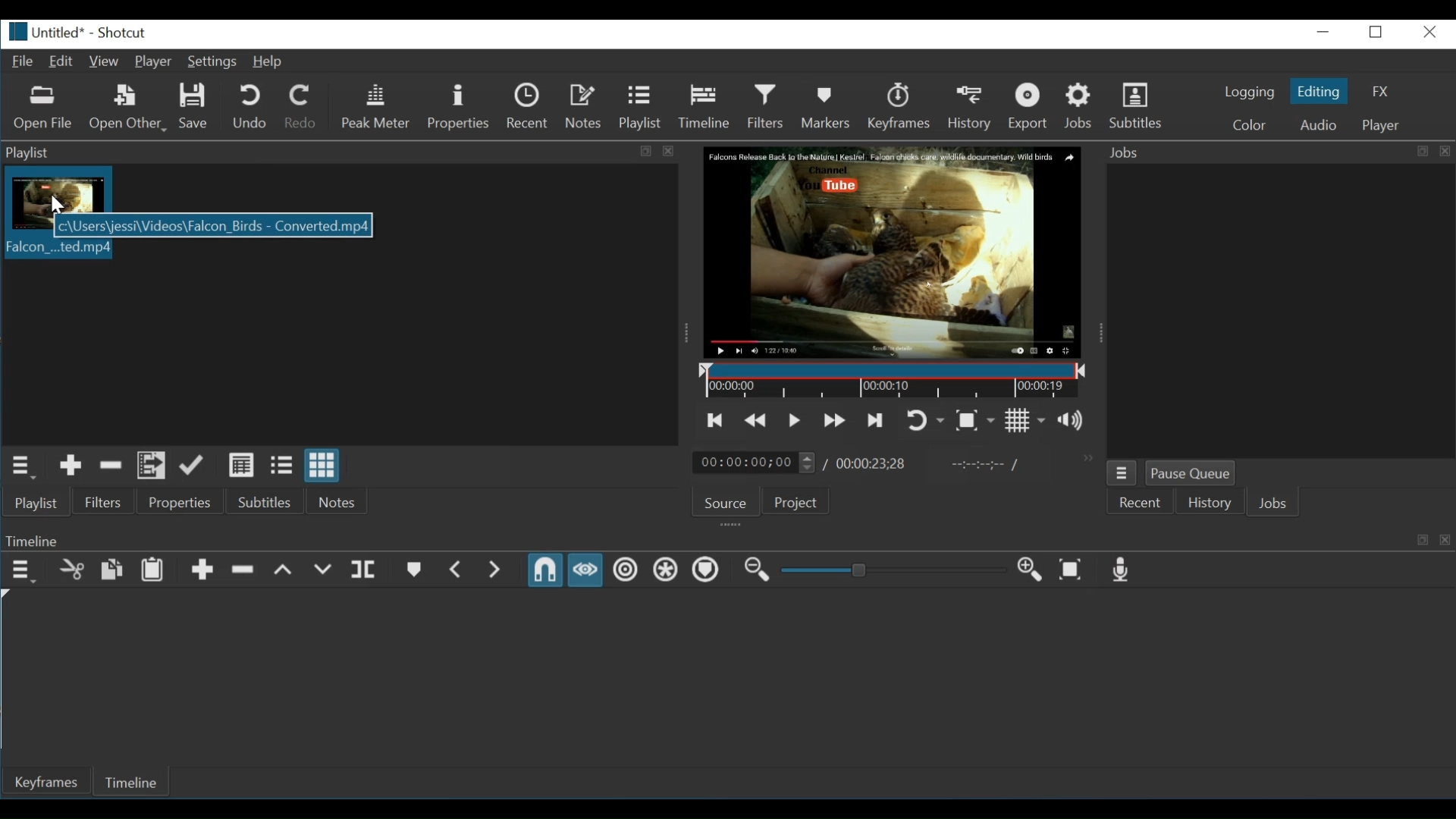 Image resolution: width=1456 pixels, height=819 pixels. Describe the element at coordinates (72, 570) in the screenshot. I see `Cut` at that location.